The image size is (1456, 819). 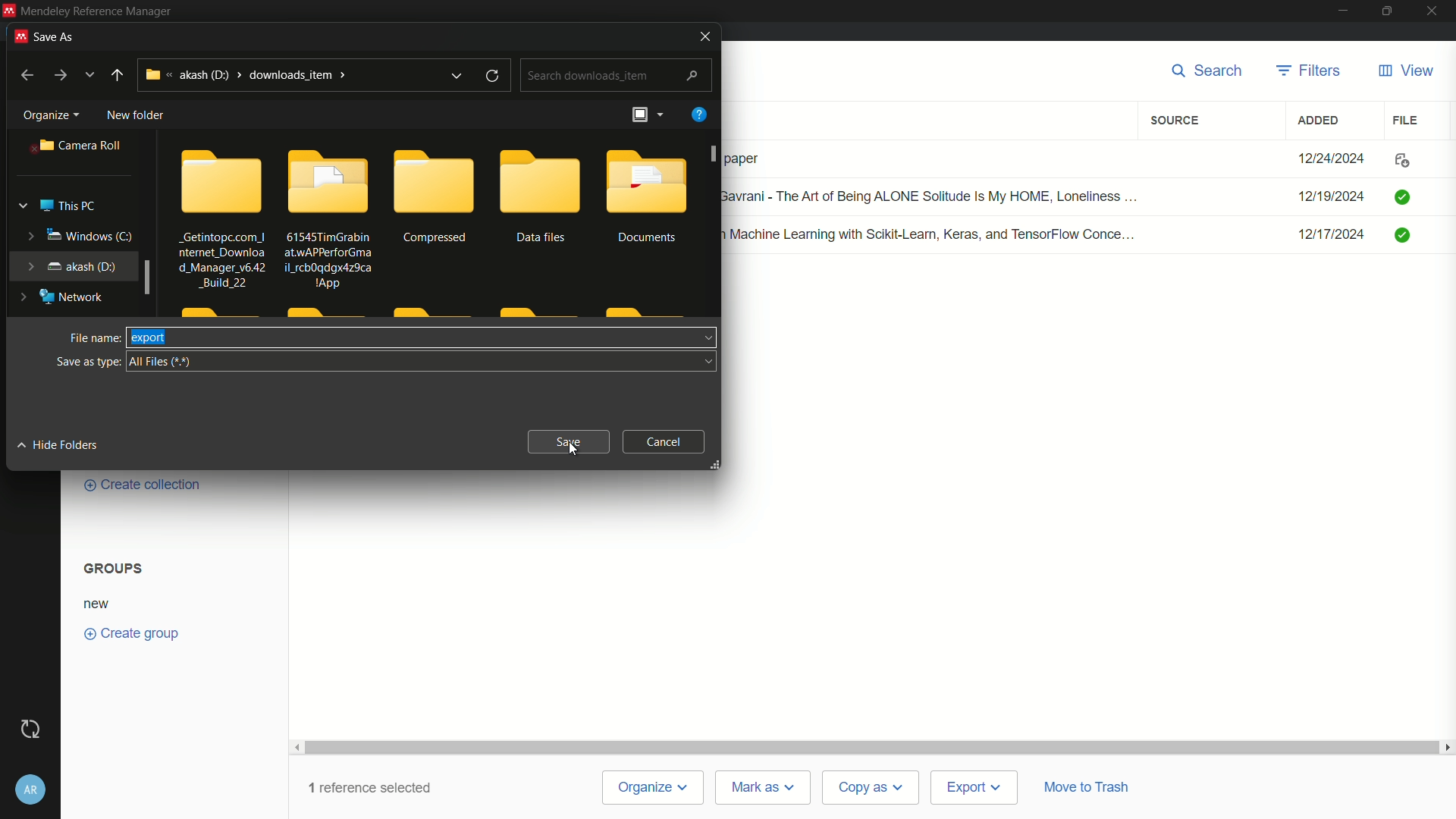 I want to click on Data files, so click(x=541, y=238).